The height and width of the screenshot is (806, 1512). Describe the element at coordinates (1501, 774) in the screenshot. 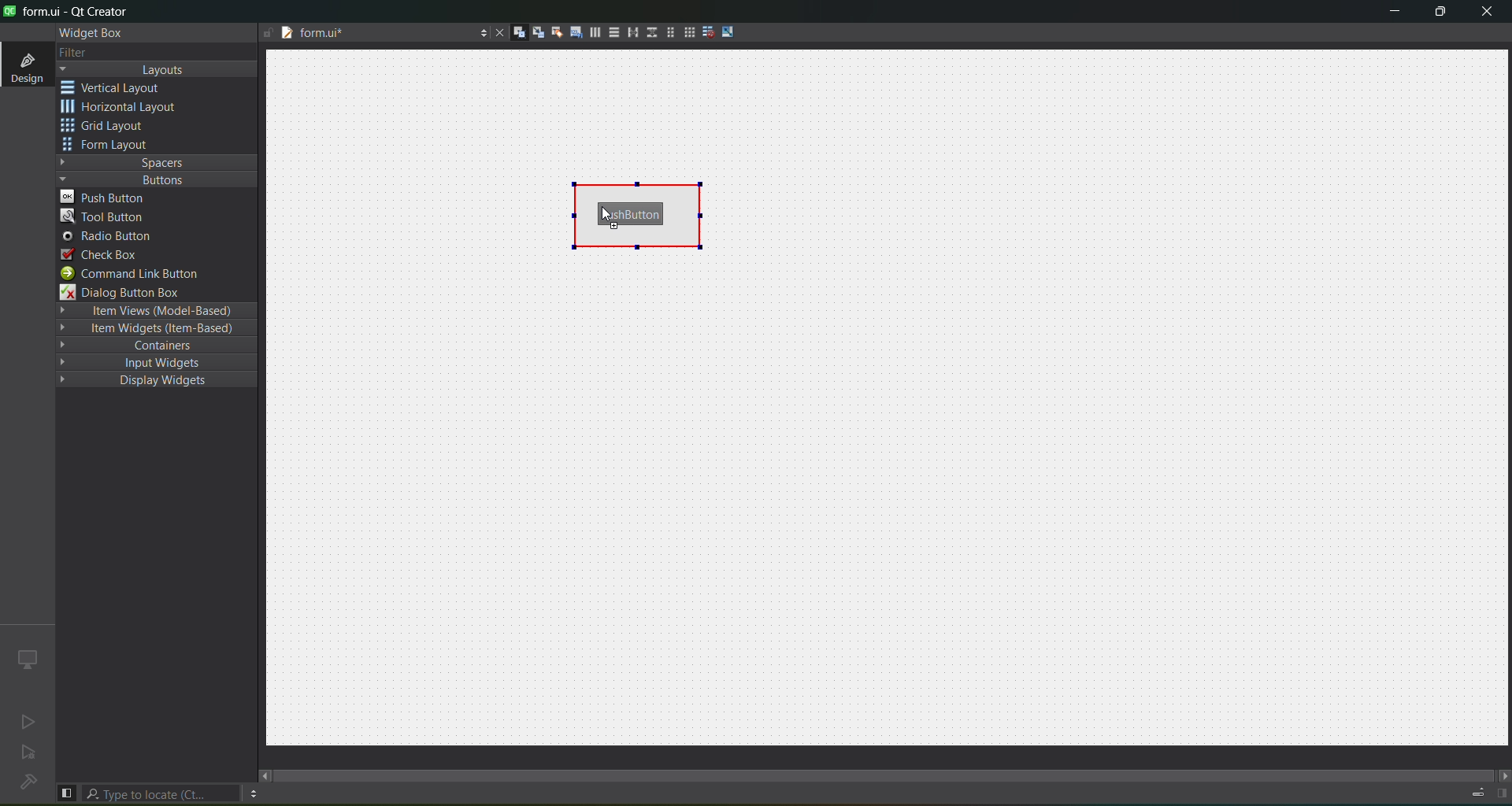

I see `move right` at that location.